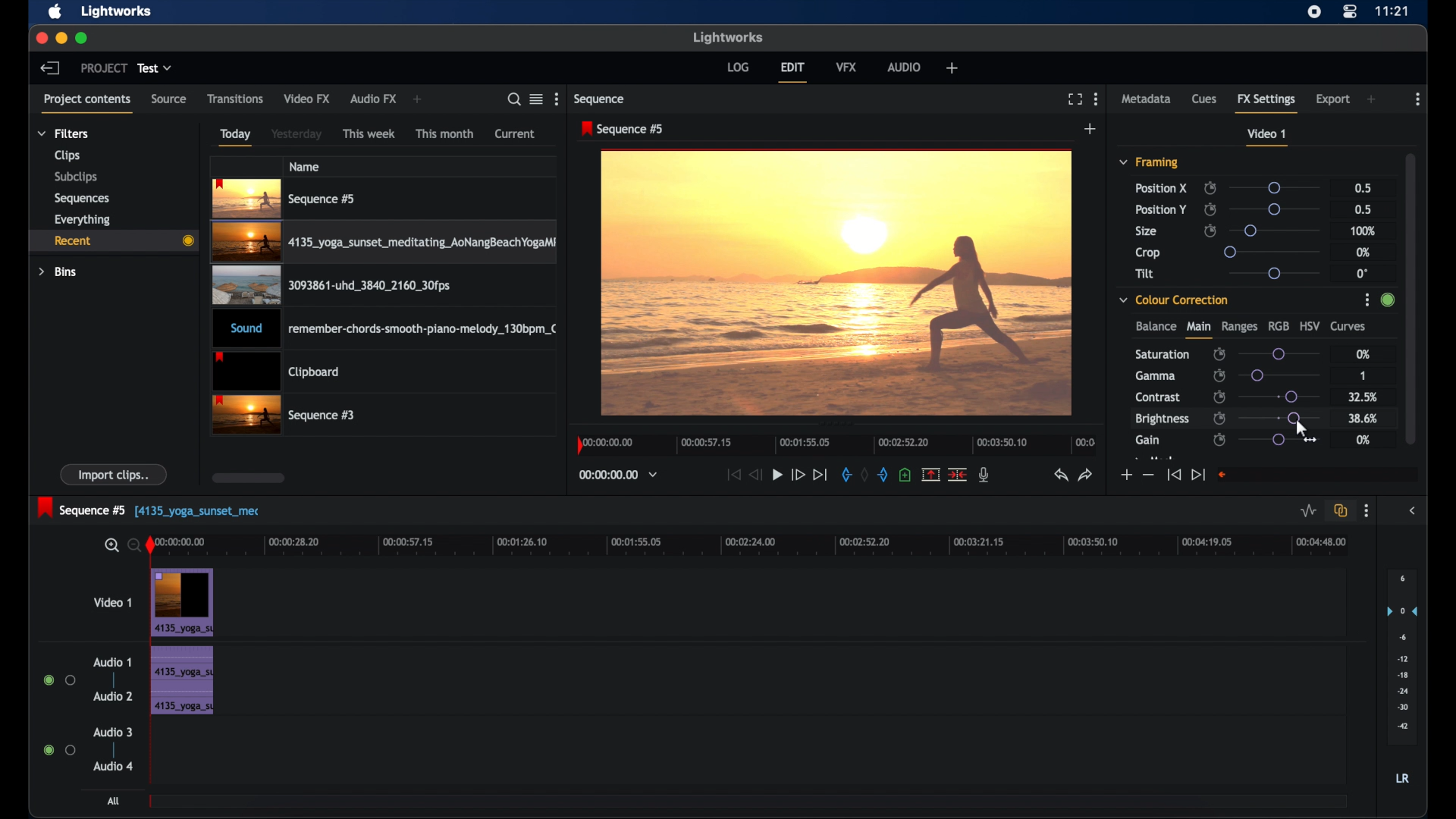 This screenshot has width=1456, height=819. Describe the element at coordinates (58, 272) in the screenshot. I see `bins` at that location.